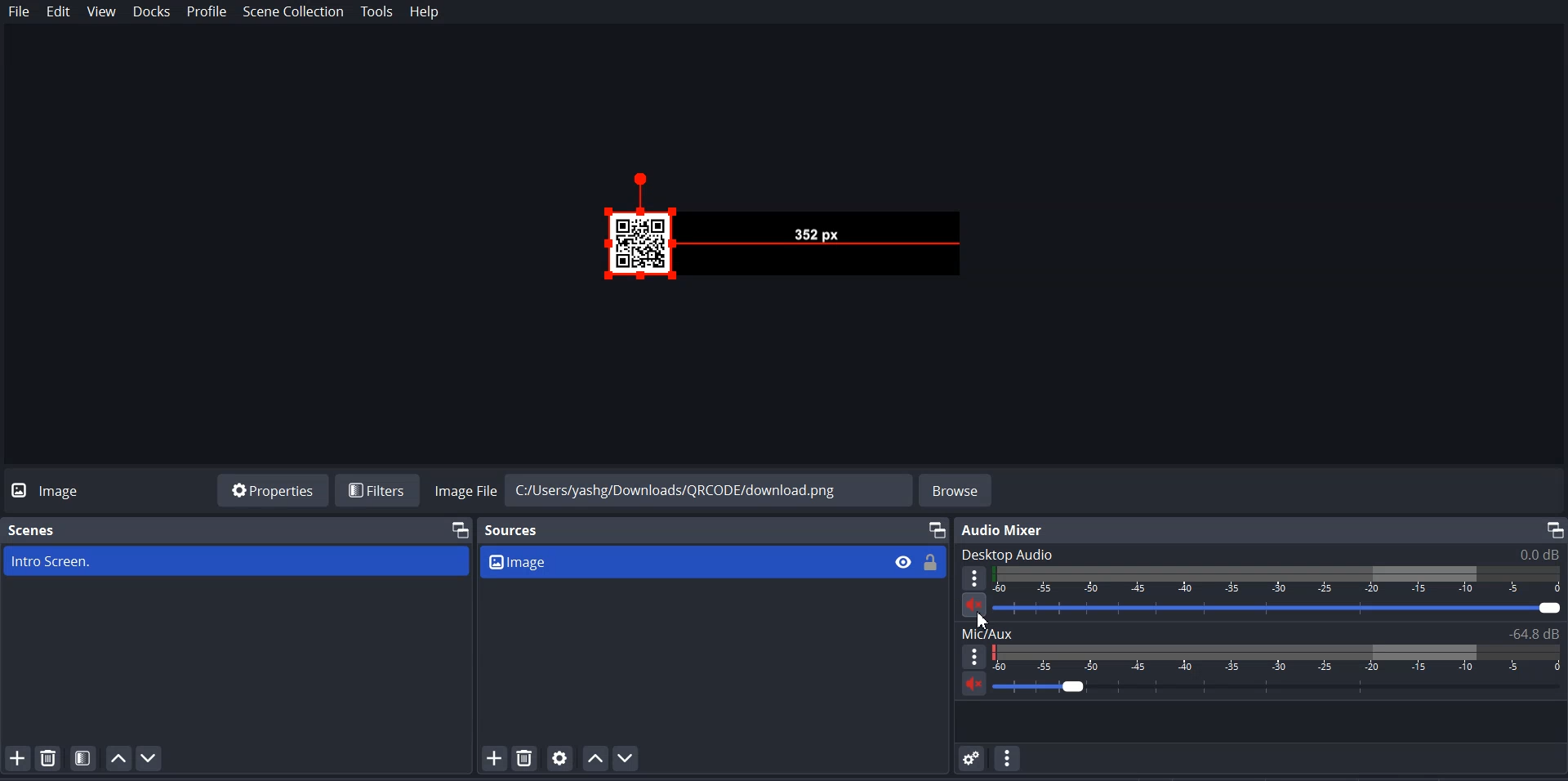 The height and width of the screenshot is (781, 1568). Describe the element at coordinates (1279, 658) in the screenshot. I see `Volume Indicators` at that location.